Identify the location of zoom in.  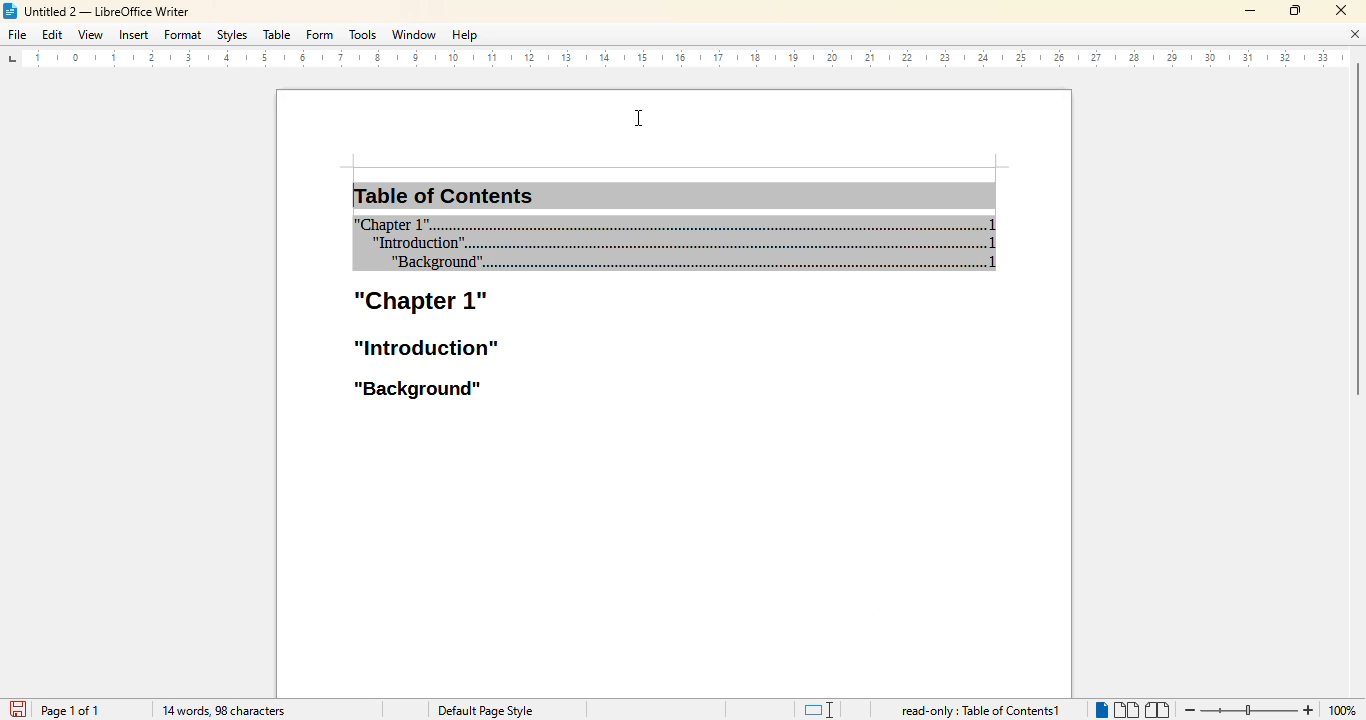
(1309, 710).